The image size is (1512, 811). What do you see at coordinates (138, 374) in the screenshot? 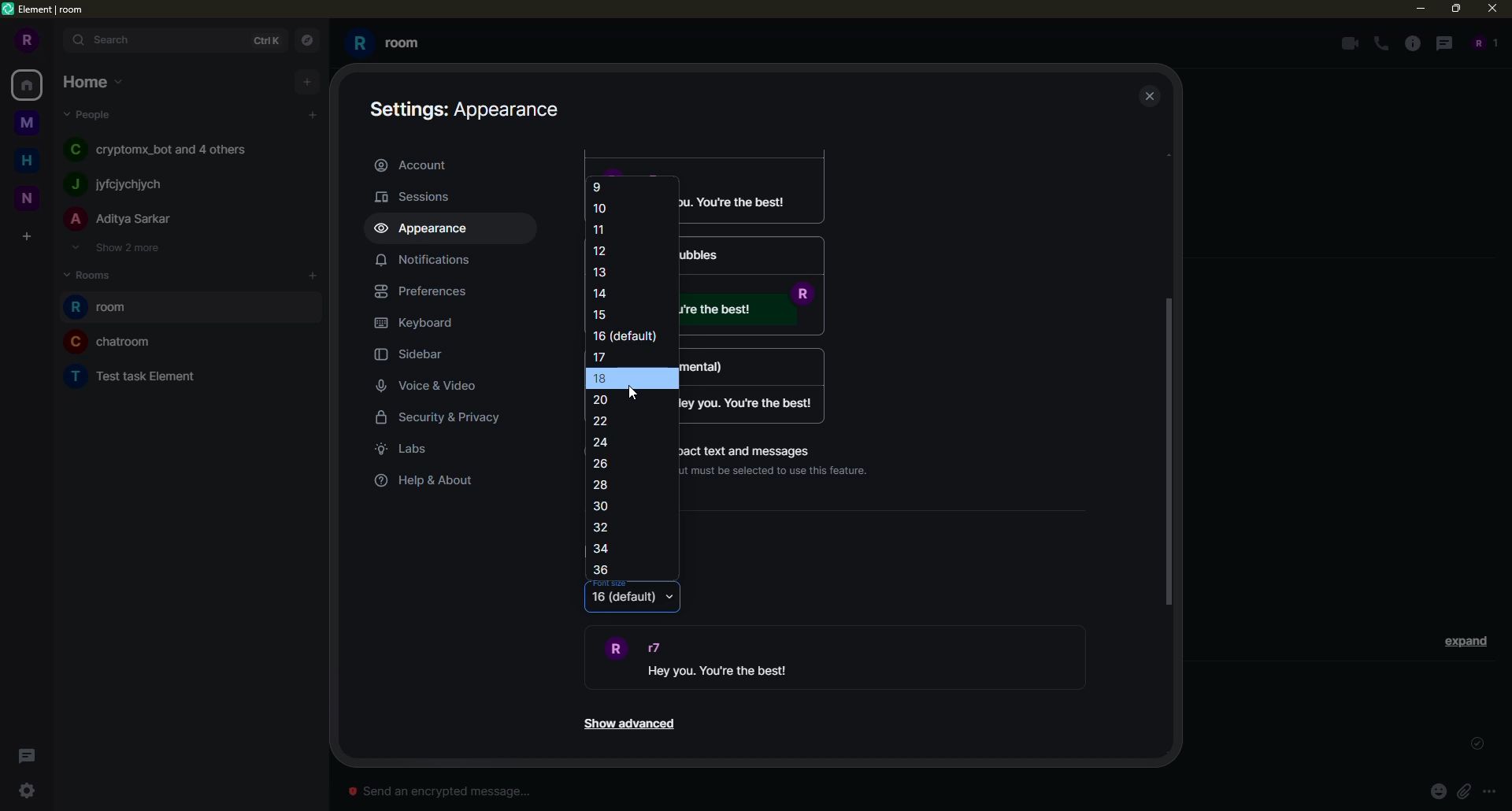
I see `room` at bounding box center [138, 374].